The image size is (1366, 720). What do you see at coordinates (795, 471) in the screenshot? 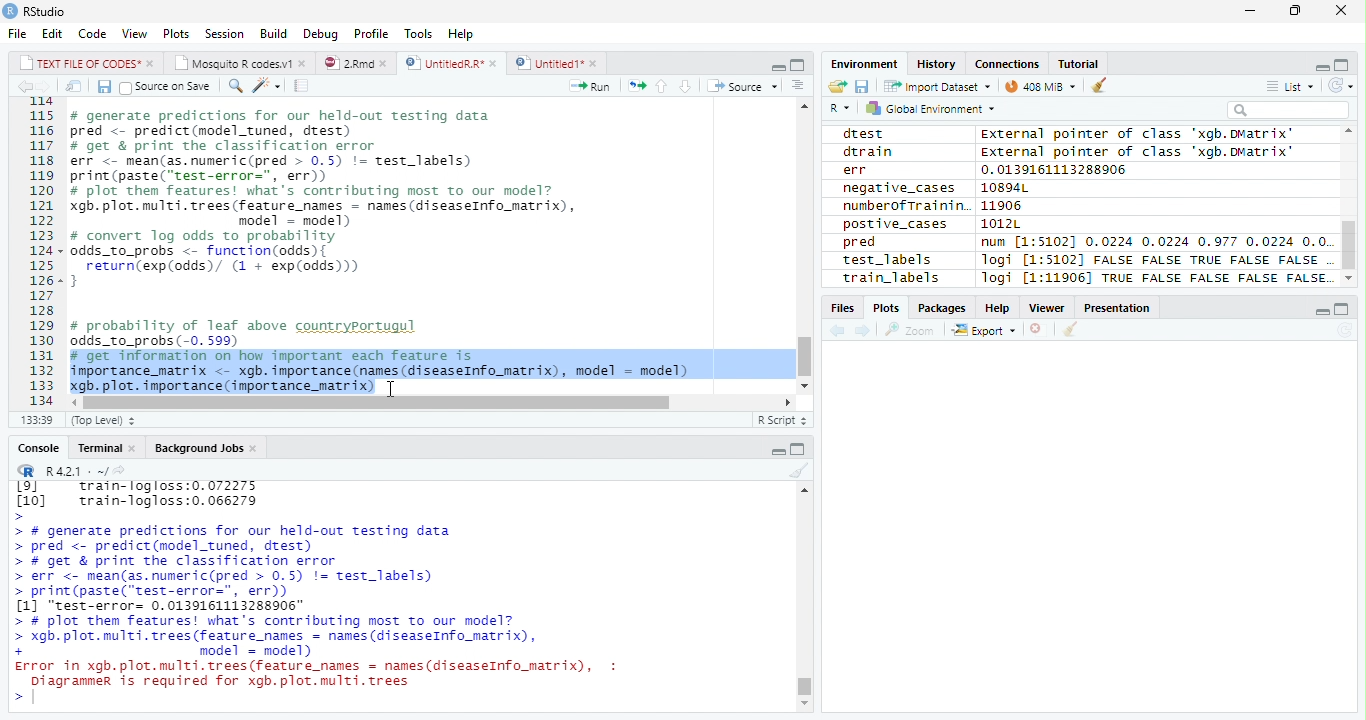
I see `Clean` at bounding box center [795, 471].